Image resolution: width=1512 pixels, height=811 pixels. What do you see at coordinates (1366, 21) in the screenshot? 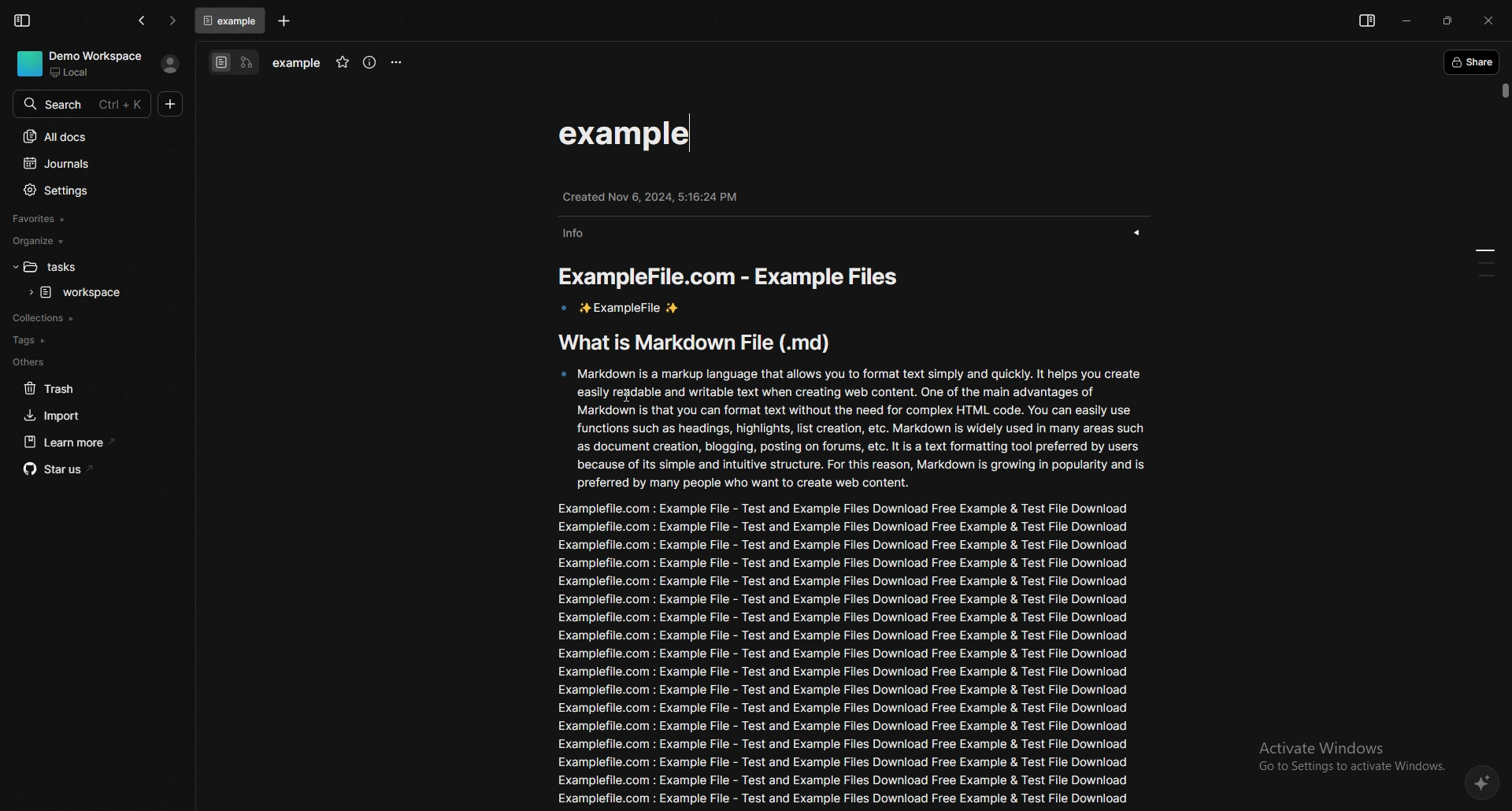
I see `show sidebar` at bounding box center [1366, 21].